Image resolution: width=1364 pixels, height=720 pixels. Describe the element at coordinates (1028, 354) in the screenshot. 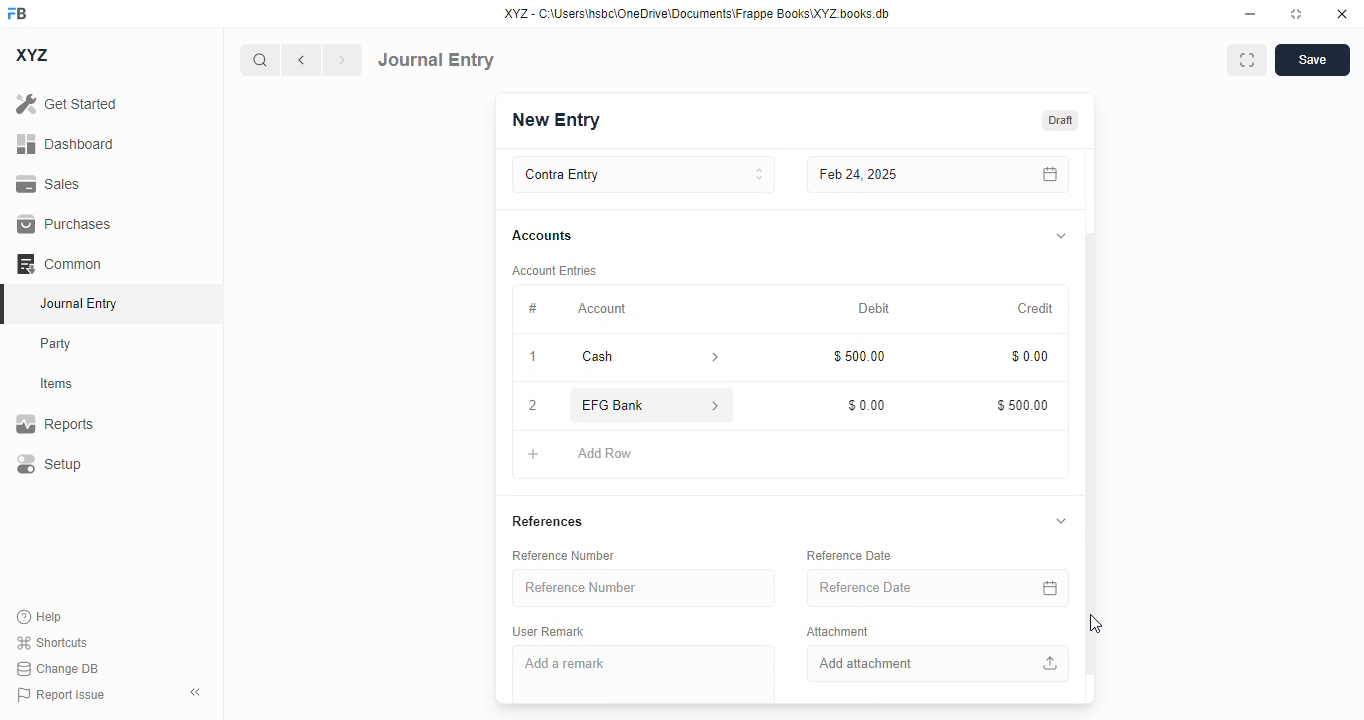

I see `$0.00` at that location.